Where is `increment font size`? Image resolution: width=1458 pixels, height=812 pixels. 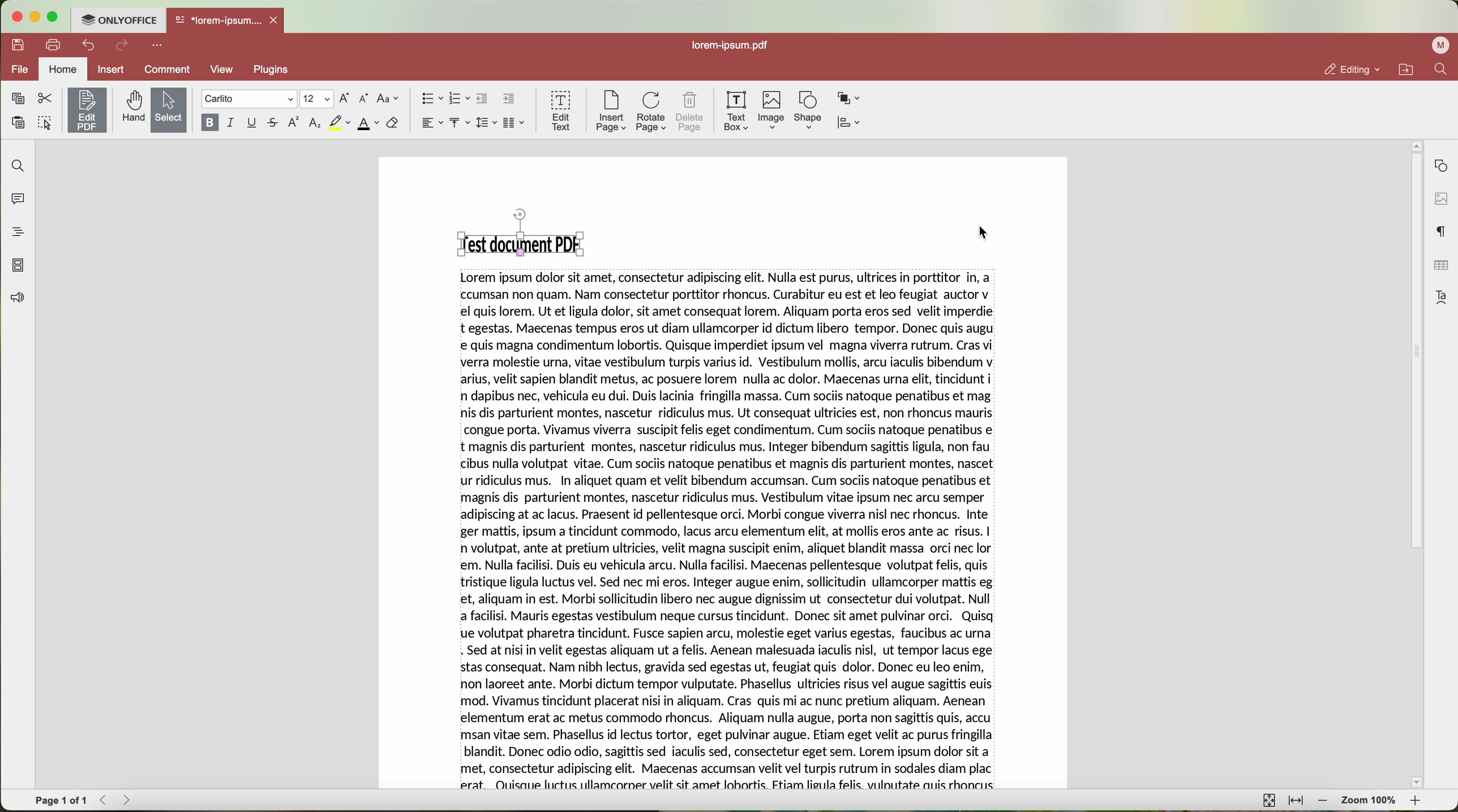 increment font size is located at coordinates (345, 98).